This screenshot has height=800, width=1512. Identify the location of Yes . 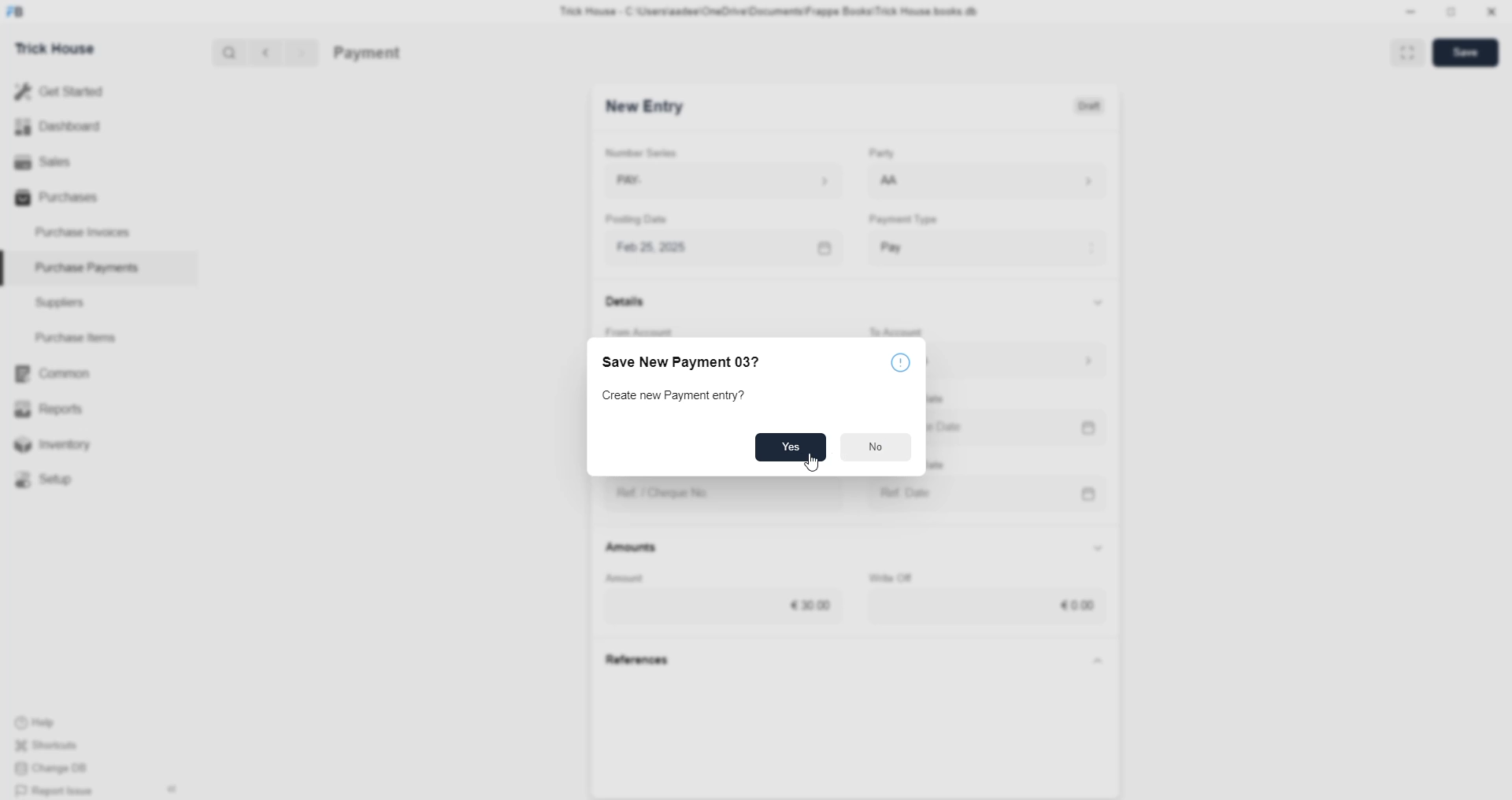
(788, 446).